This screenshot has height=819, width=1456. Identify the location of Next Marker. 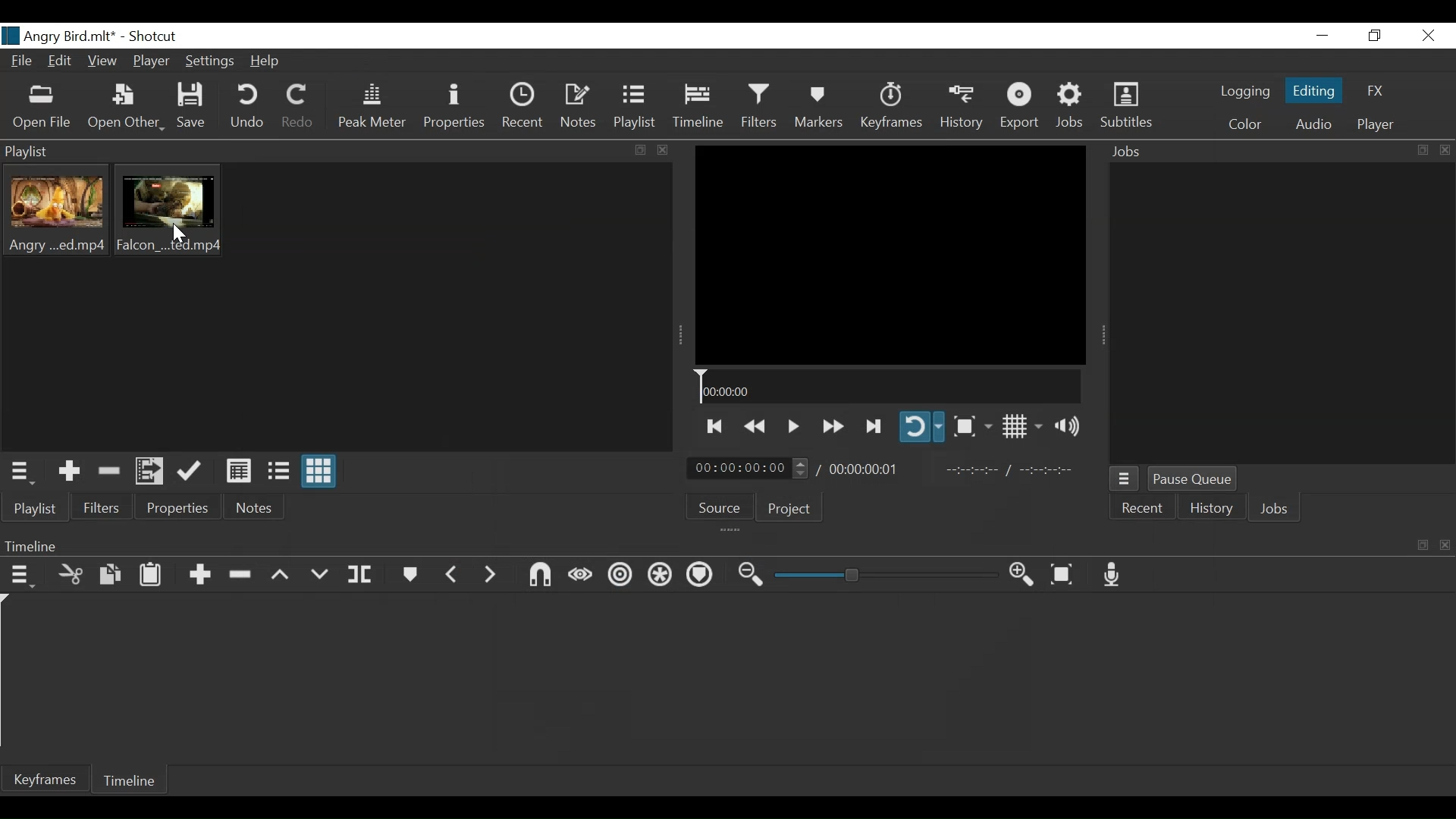
(492, 574).